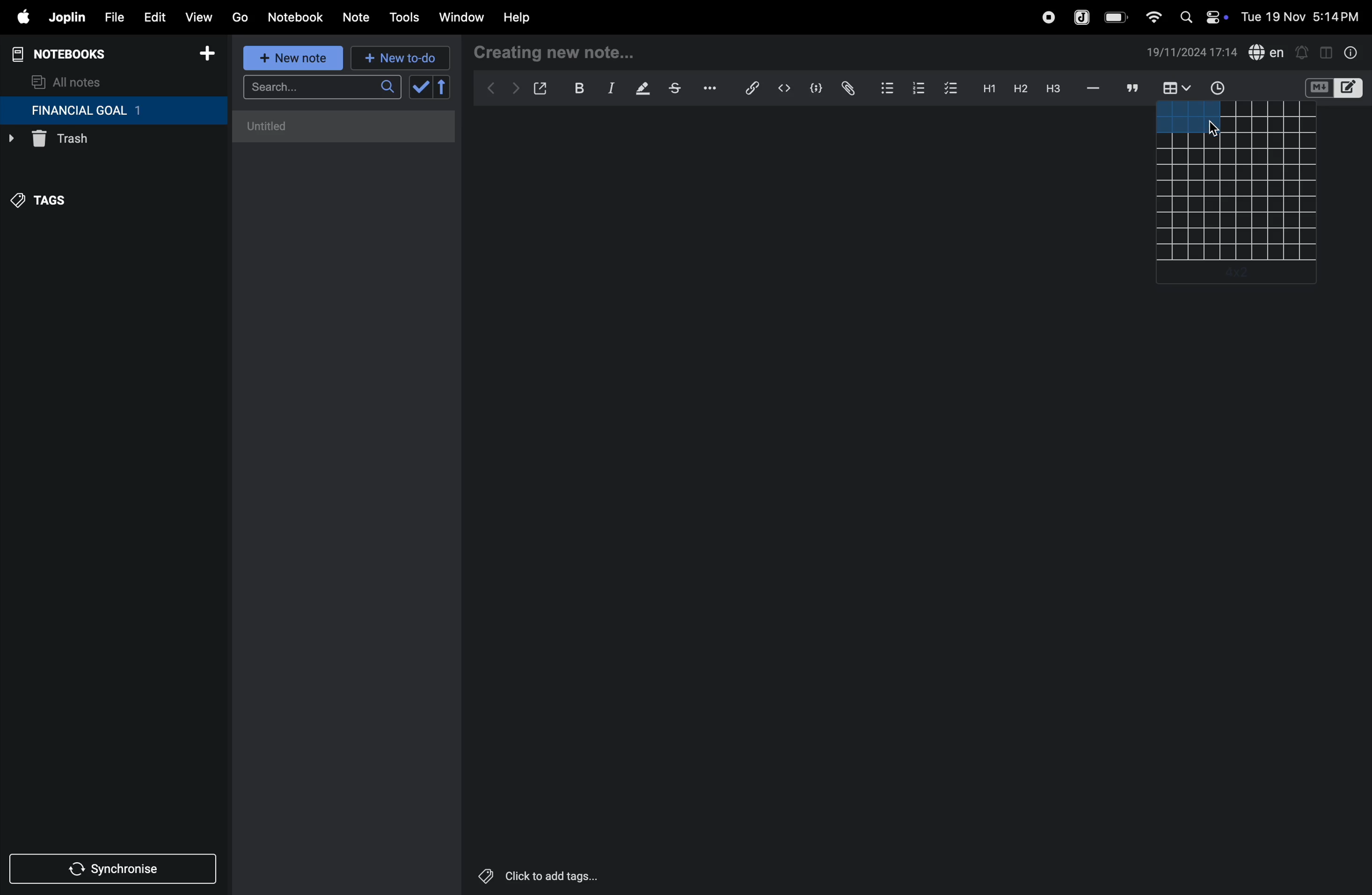  What do you see at coordinates (345, 126) in the screenshot?
I see `Untitled` at bounding box center [345, 126].